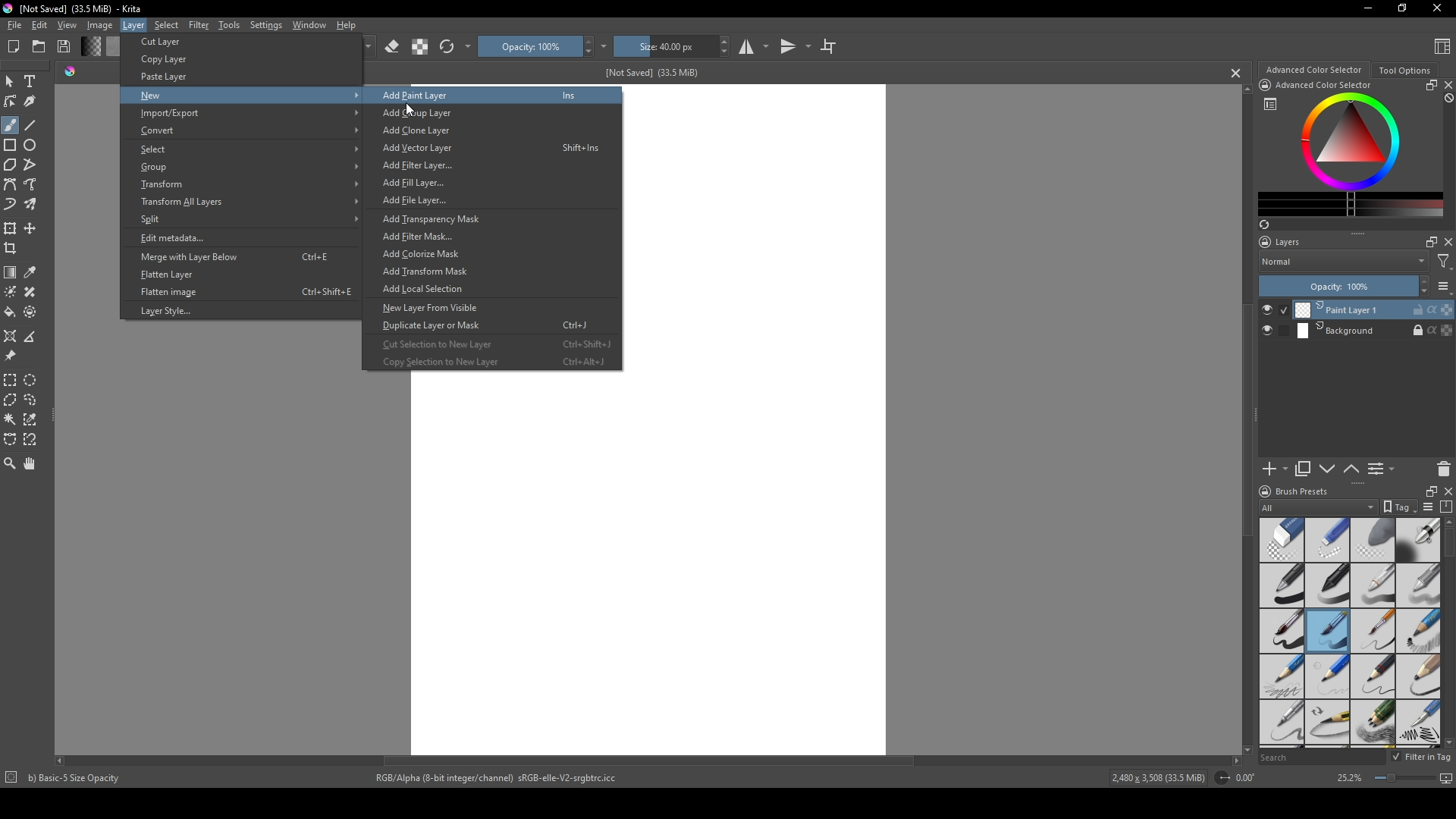 The width and height of the screenshot is (1456, 819). Describe the element at coordinates (9, 8) in the screenshot. I see `logo` at that location.